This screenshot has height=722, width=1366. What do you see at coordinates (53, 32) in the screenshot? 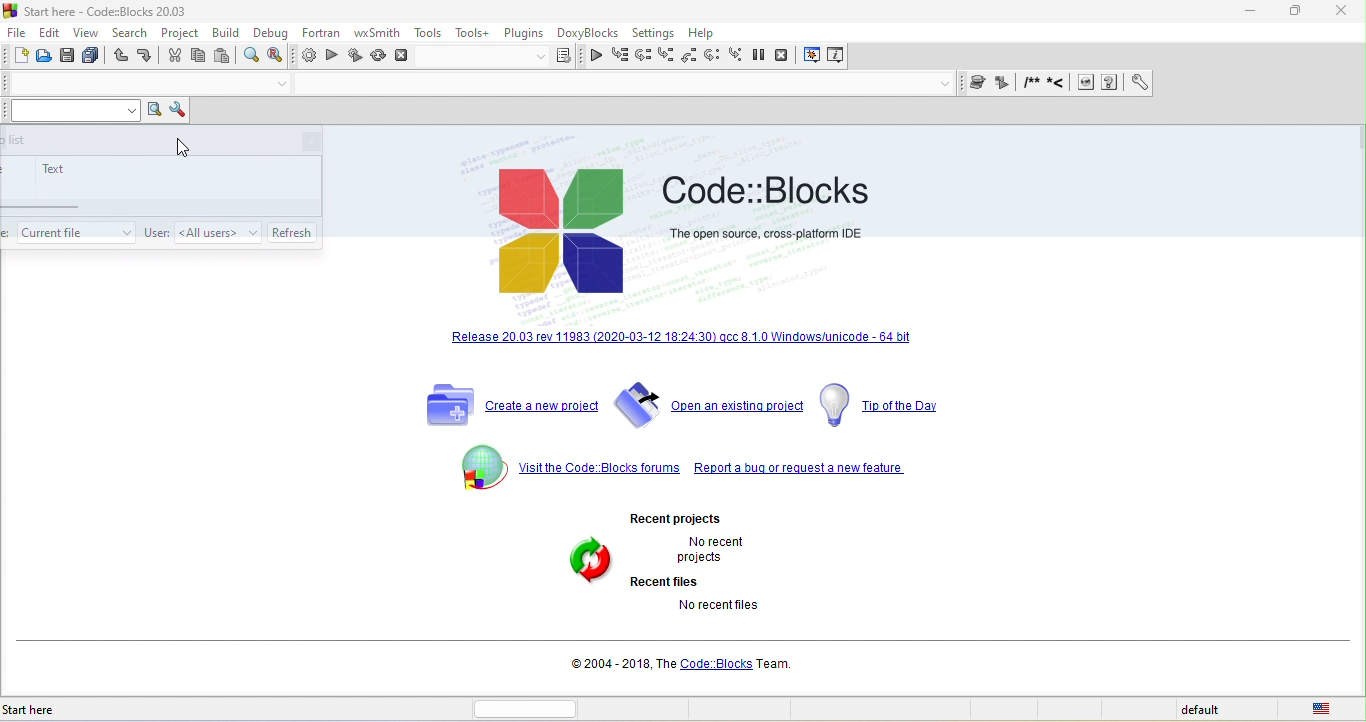
I see `edit` at bounding box center [53, 32].